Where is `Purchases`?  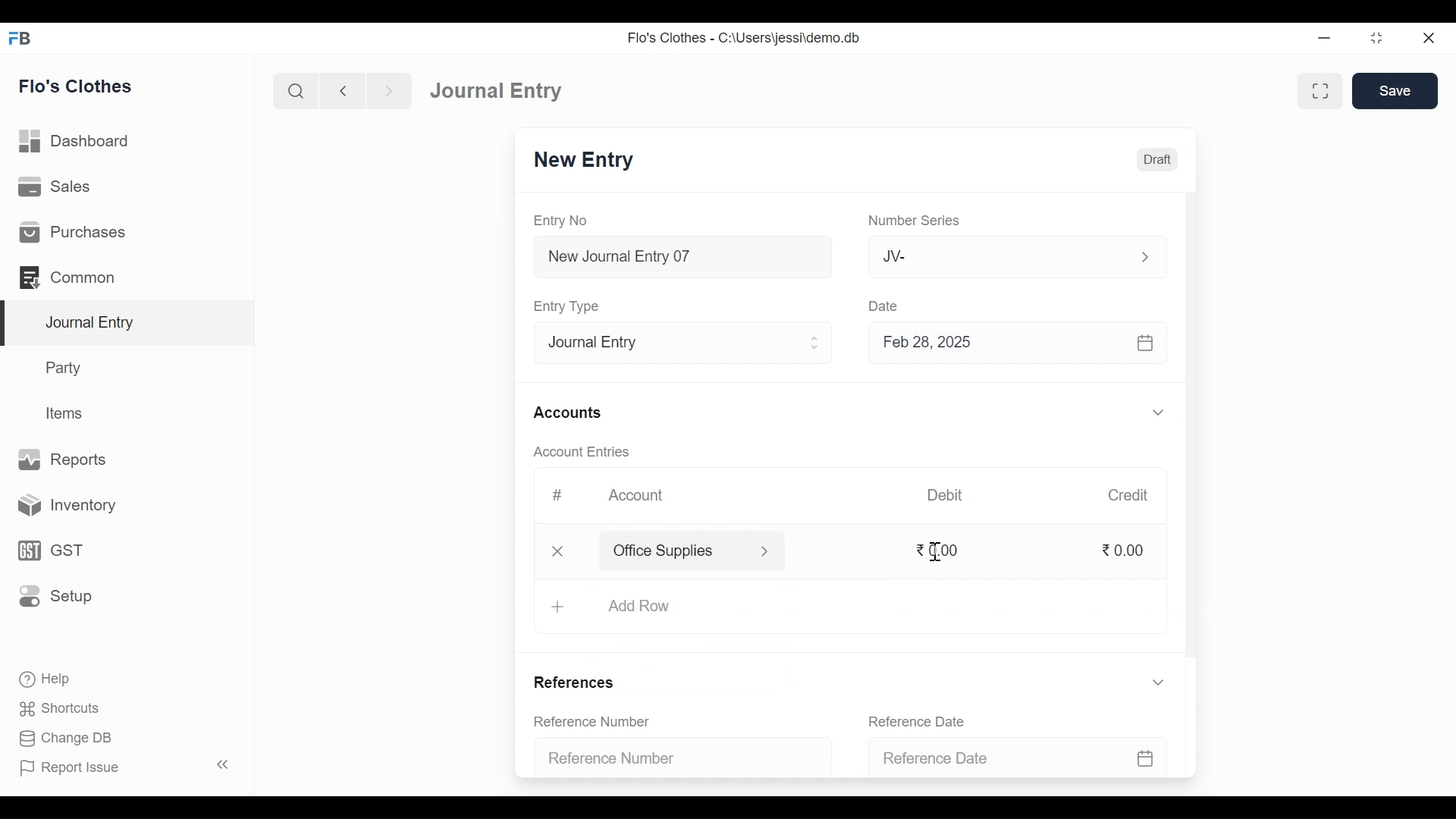 Purchases is located at coordinates (73, 231).